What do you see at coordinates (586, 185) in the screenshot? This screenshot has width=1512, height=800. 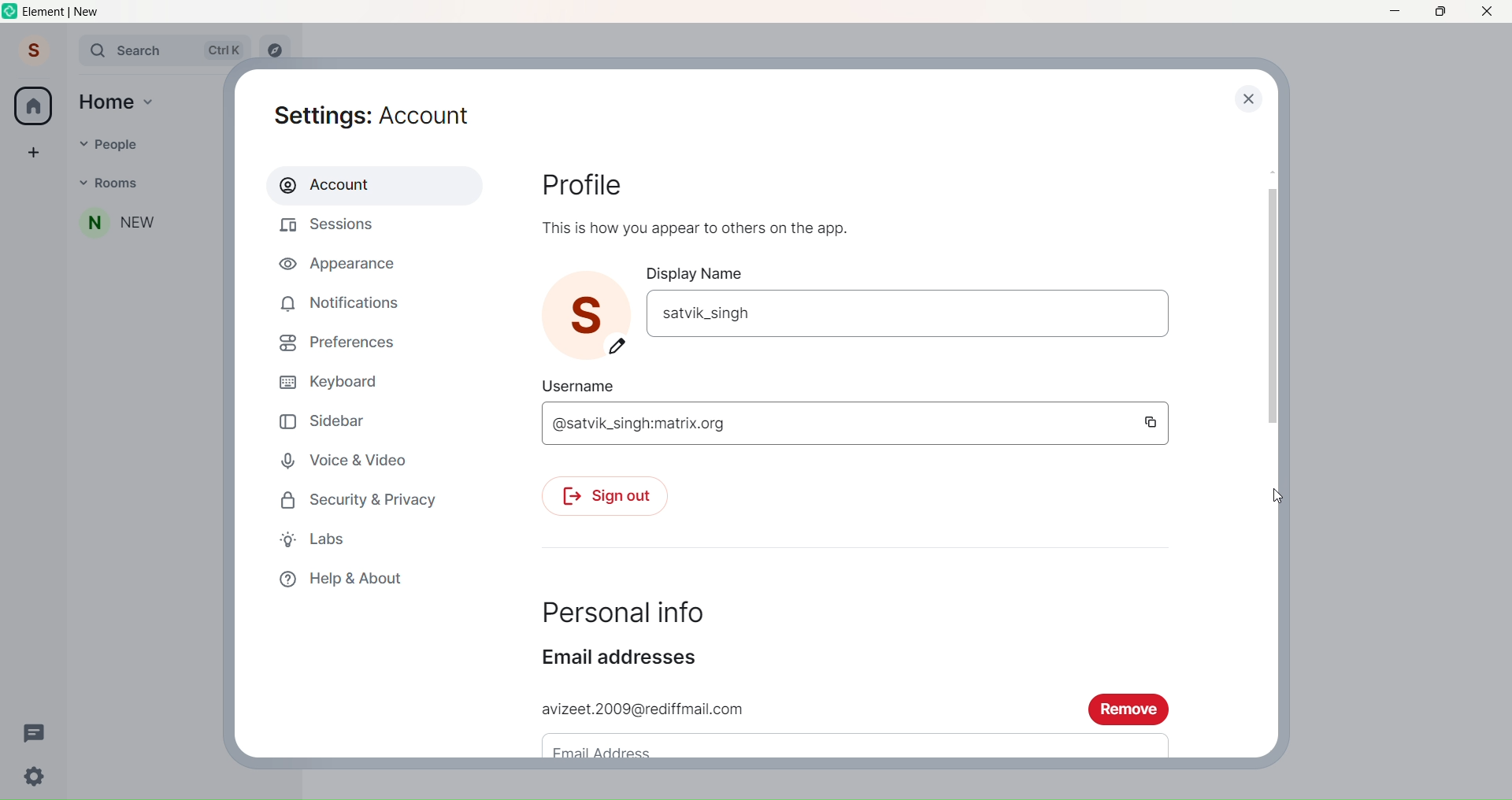 I see `Profile` at bounding box center [586, 185].